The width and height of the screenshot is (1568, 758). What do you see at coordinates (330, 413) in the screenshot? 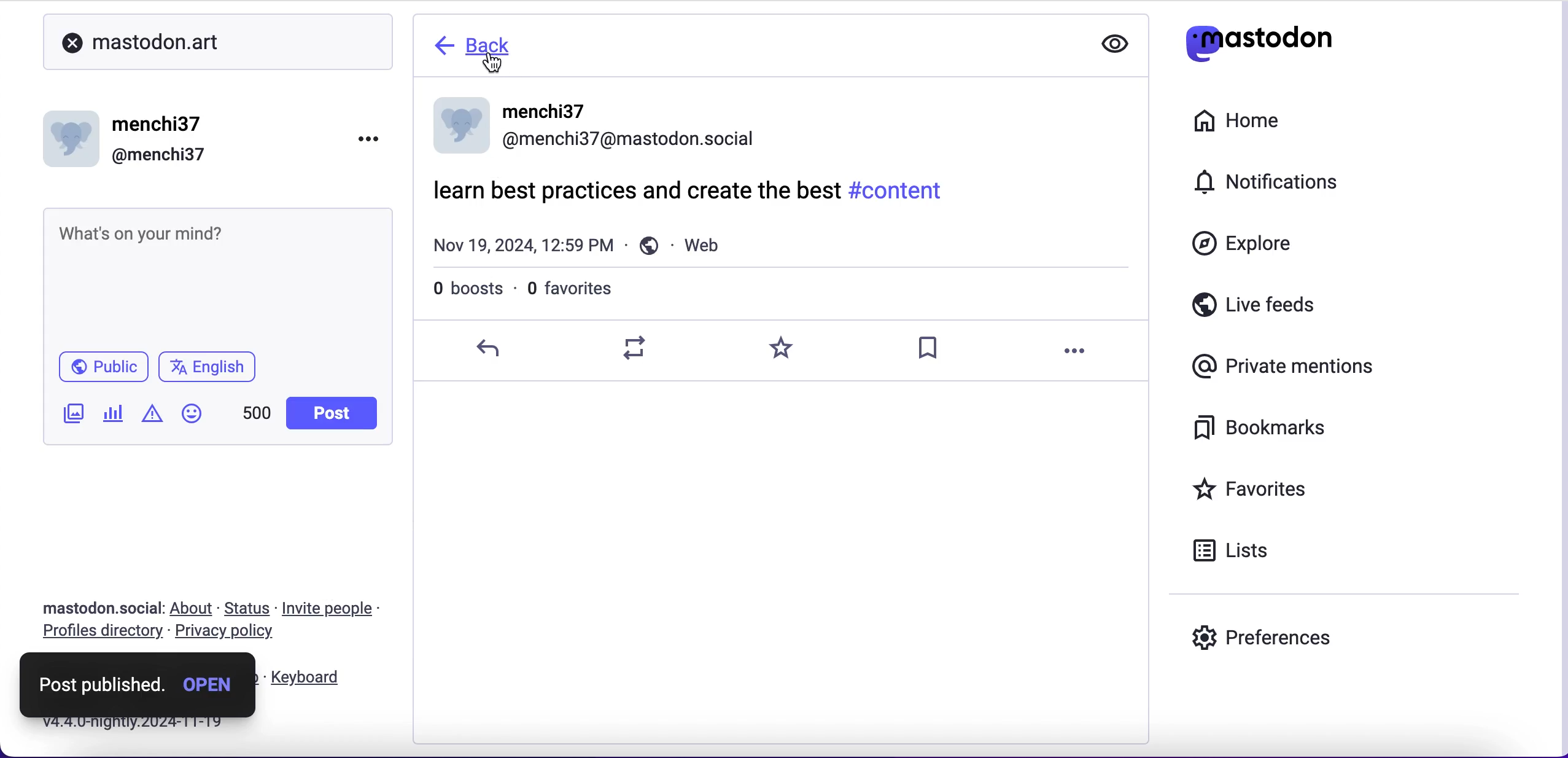
I see `post` at bounding box center [330, 413].